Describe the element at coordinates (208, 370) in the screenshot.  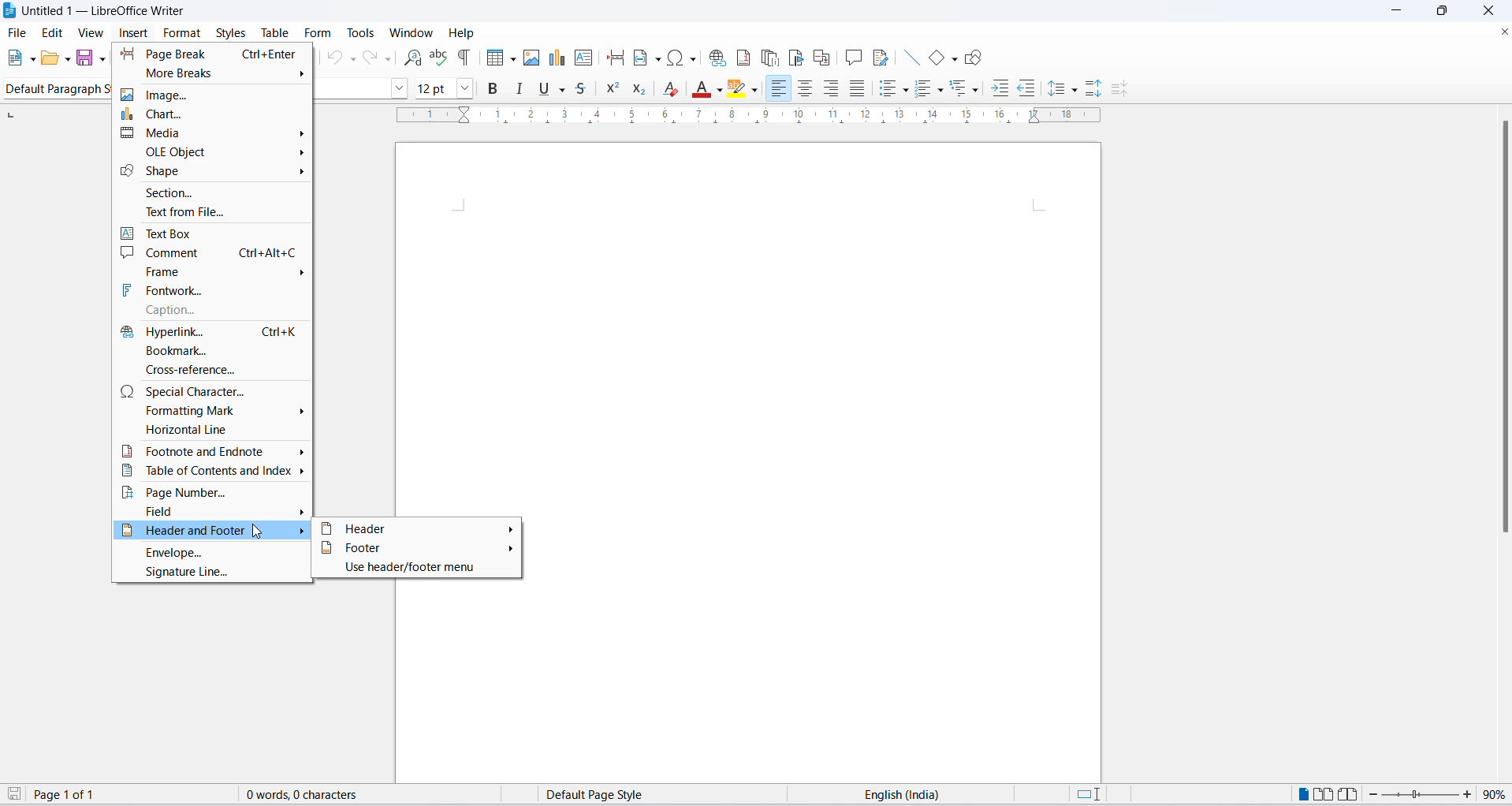
I see `cross-reference` at that location.